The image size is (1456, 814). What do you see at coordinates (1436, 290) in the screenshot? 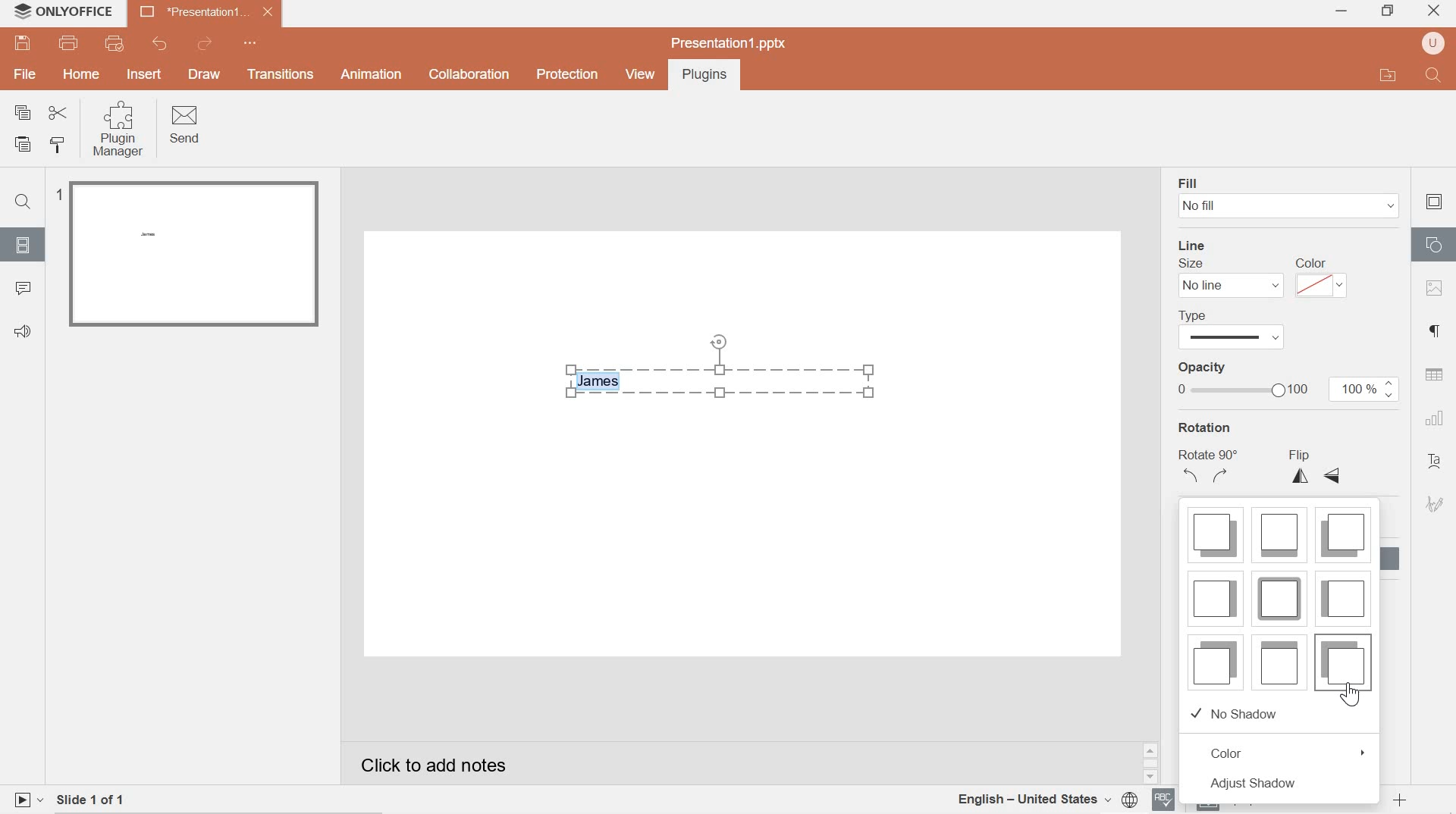
I see `image` at bounding box center [1436, 290].